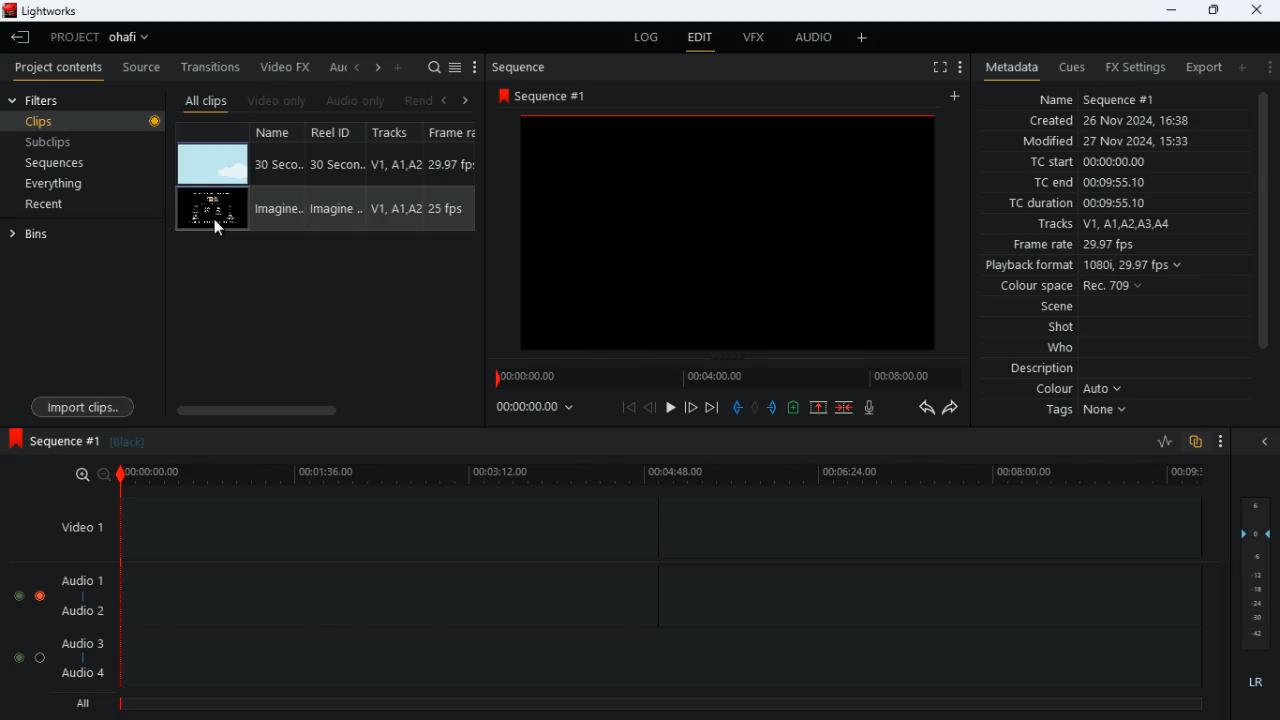 This screenshot has width=1280, height=720. What do you see at coordinates (1169, 11) in the screenshot?
I see `minimize` at bounding box center [1169, 11].